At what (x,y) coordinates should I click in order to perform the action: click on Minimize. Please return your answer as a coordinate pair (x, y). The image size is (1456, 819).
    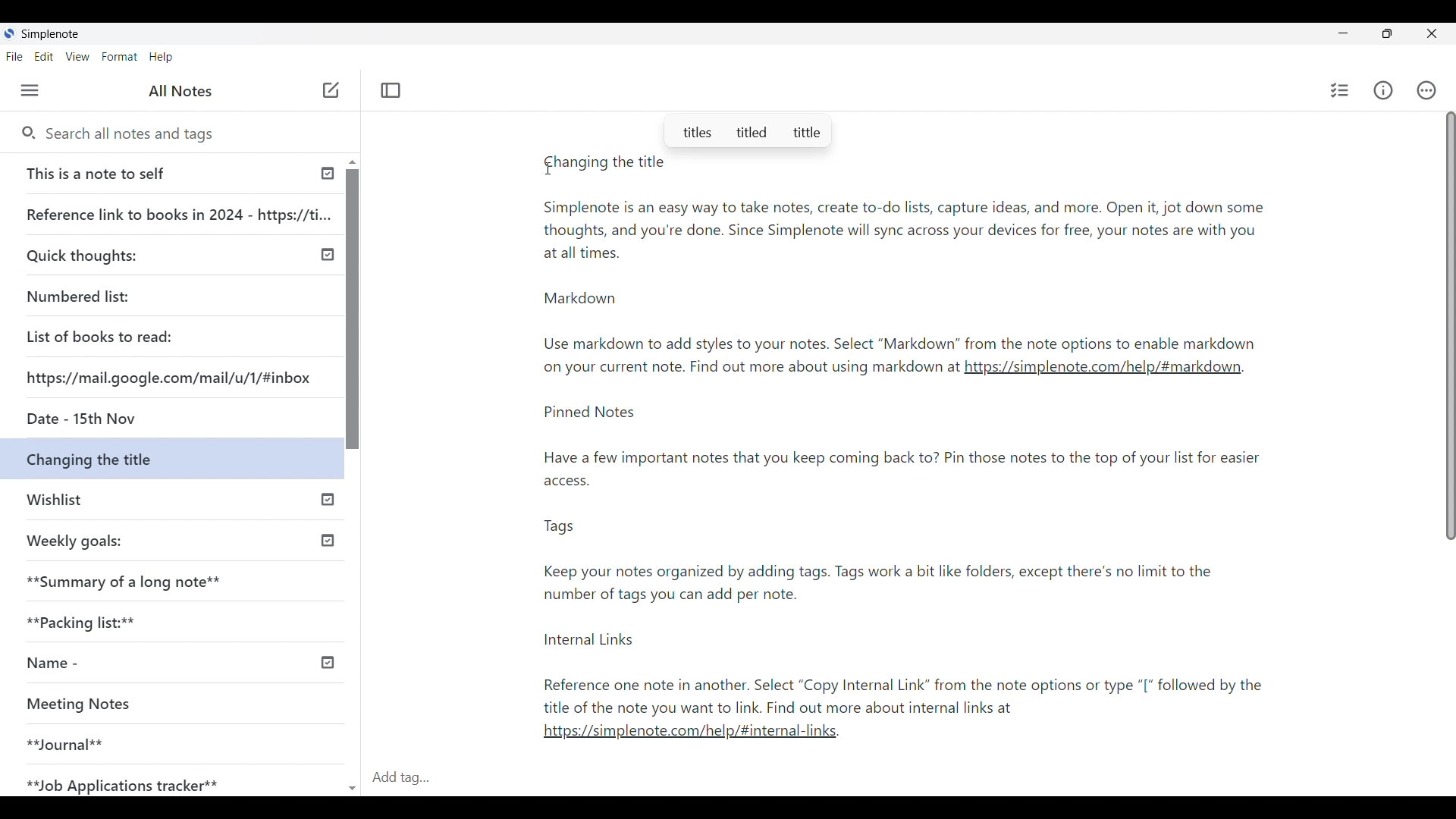
    Looking at the image, I should click on (1343, 33).